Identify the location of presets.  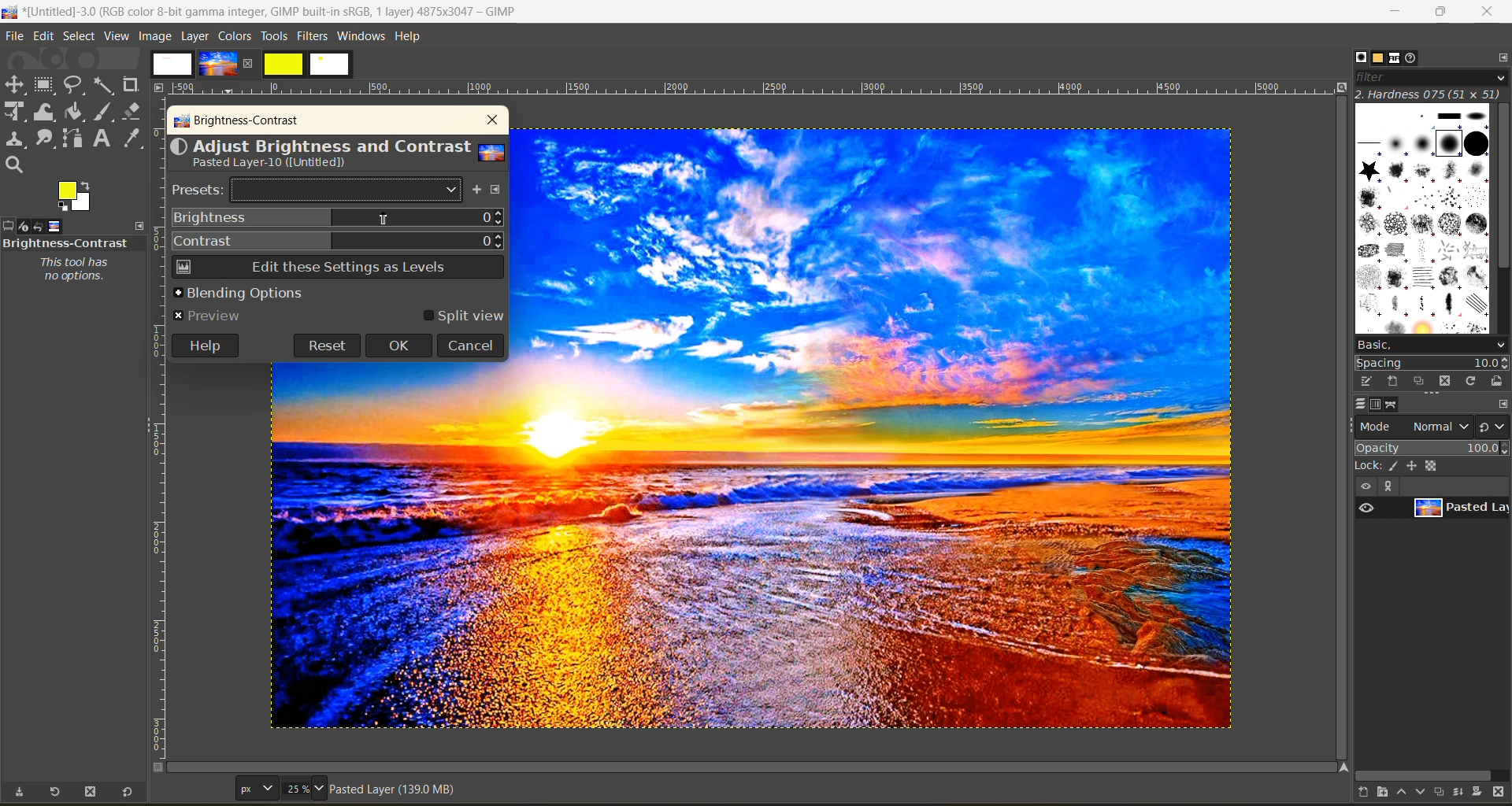
(318, 190).